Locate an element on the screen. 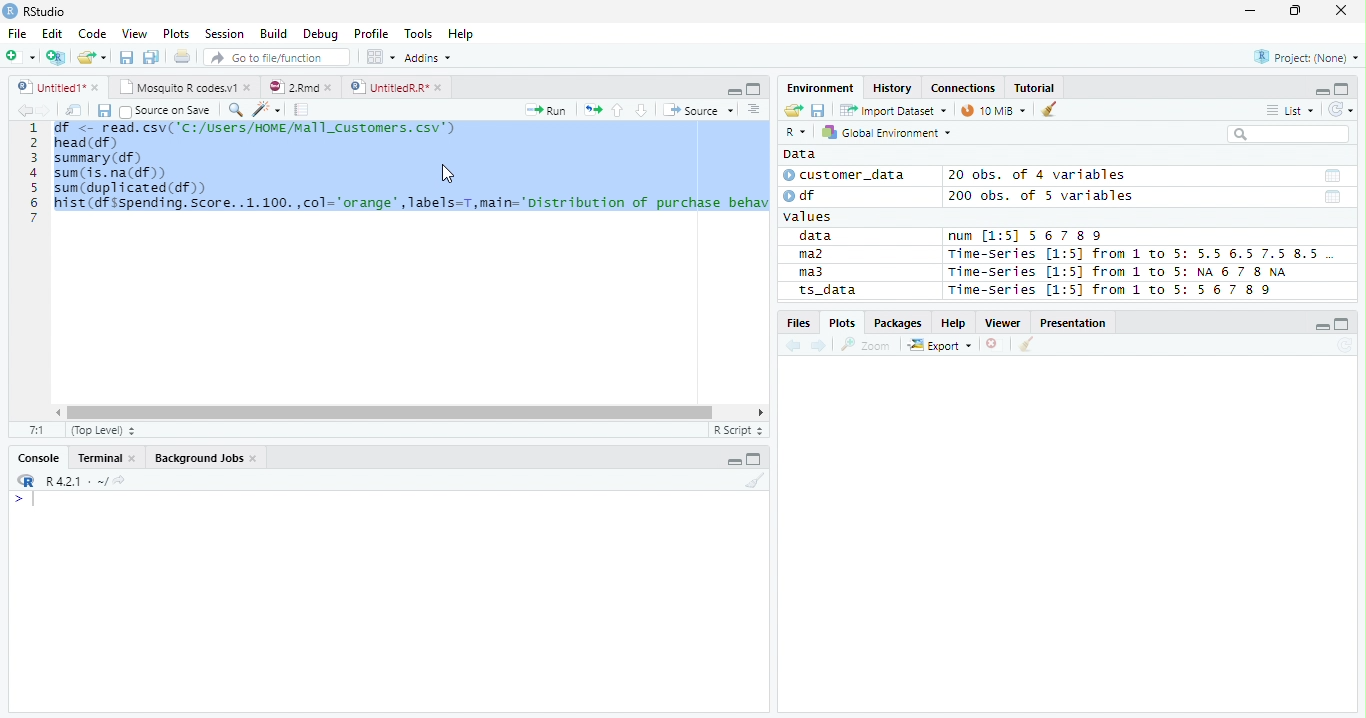 This screenshot has height=718, width=1366. File is located at coordinates (16, 33).